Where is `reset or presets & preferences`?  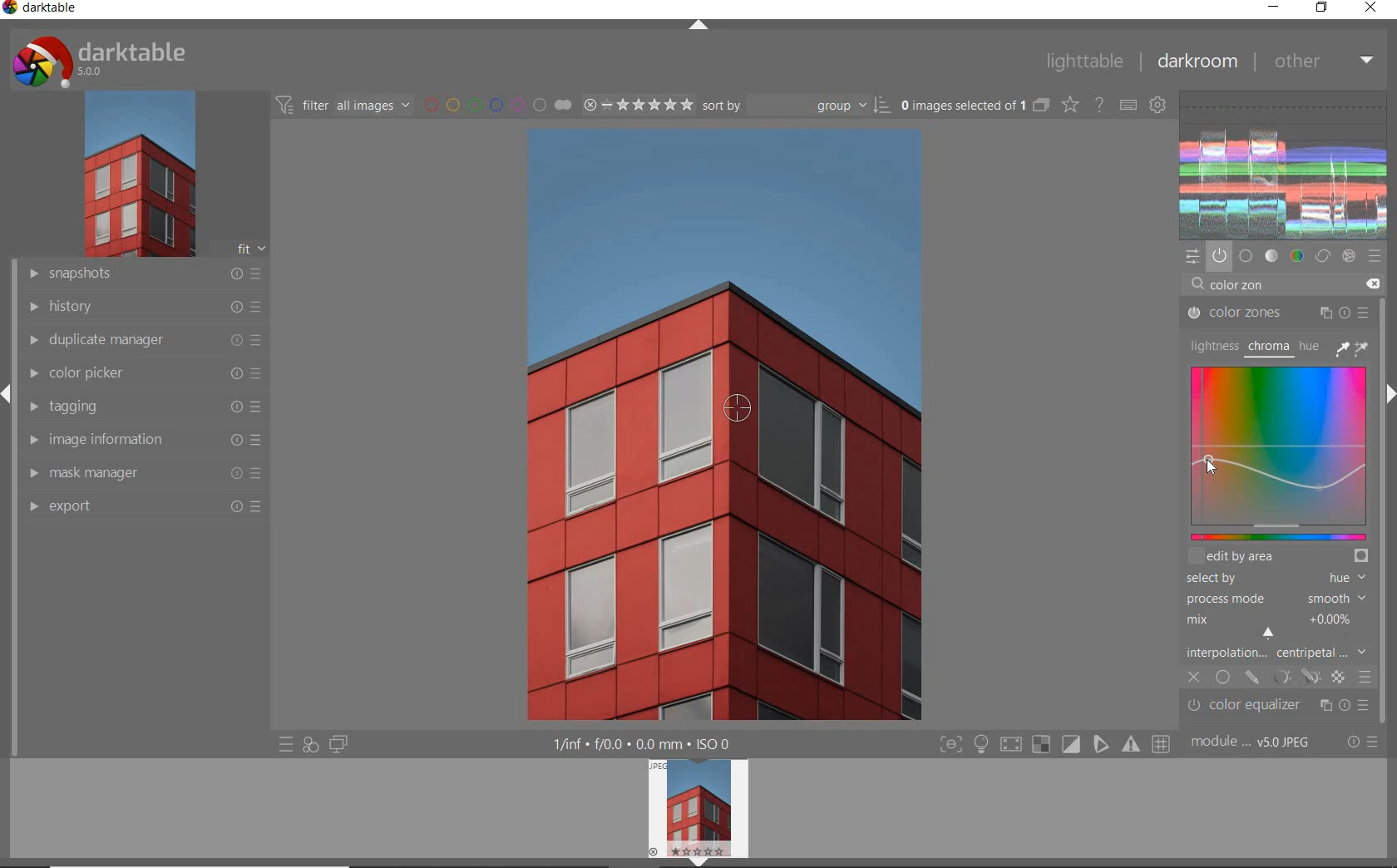
reset or presets & preferences is located at coordinates (1362, 743).